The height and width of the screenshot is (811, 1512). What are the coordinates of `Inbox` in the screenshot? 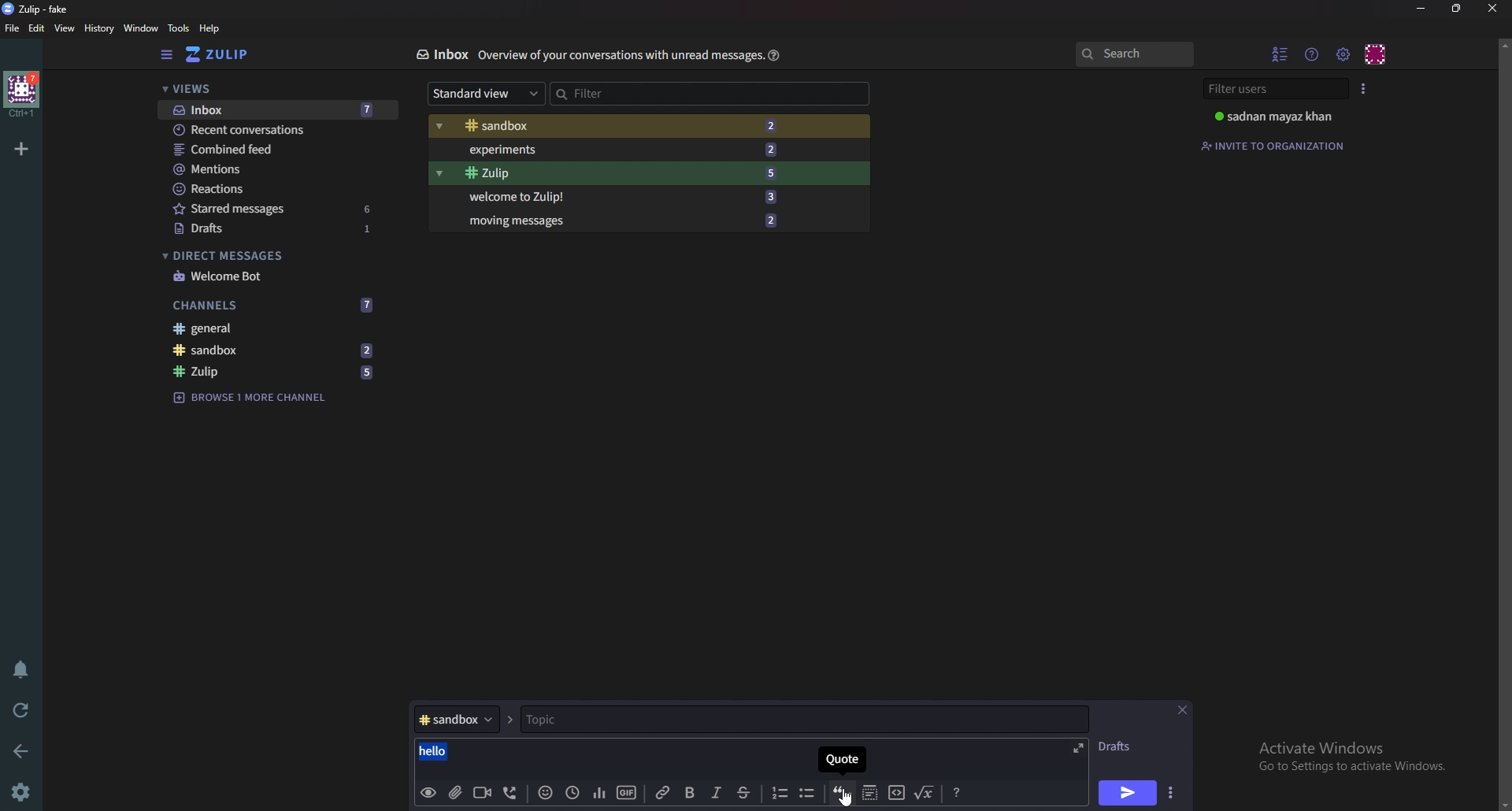 It's located at (444, 54).